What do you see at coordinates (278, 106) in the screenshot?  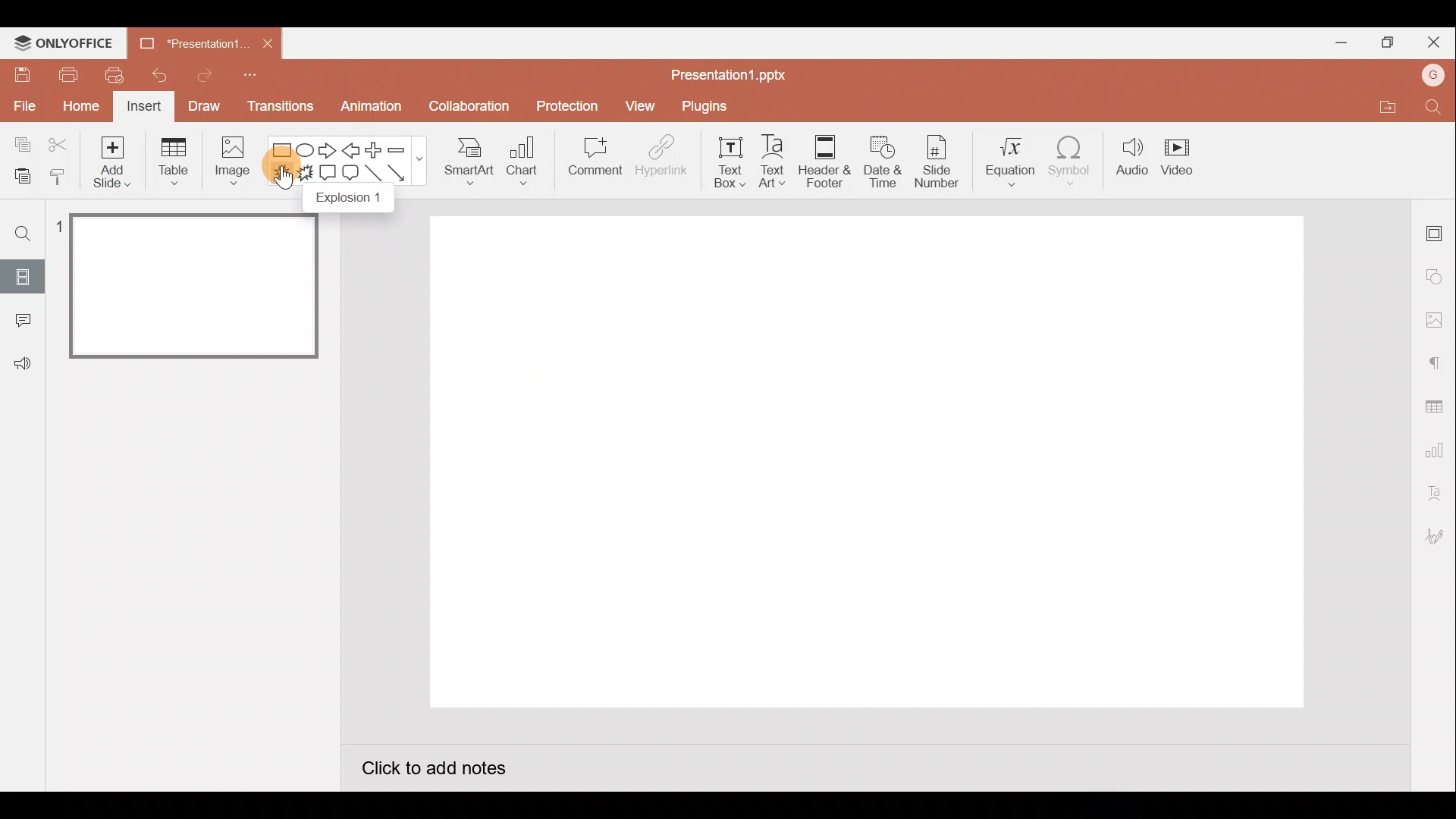 I see `Transitions` at bounding box center [278, 106].